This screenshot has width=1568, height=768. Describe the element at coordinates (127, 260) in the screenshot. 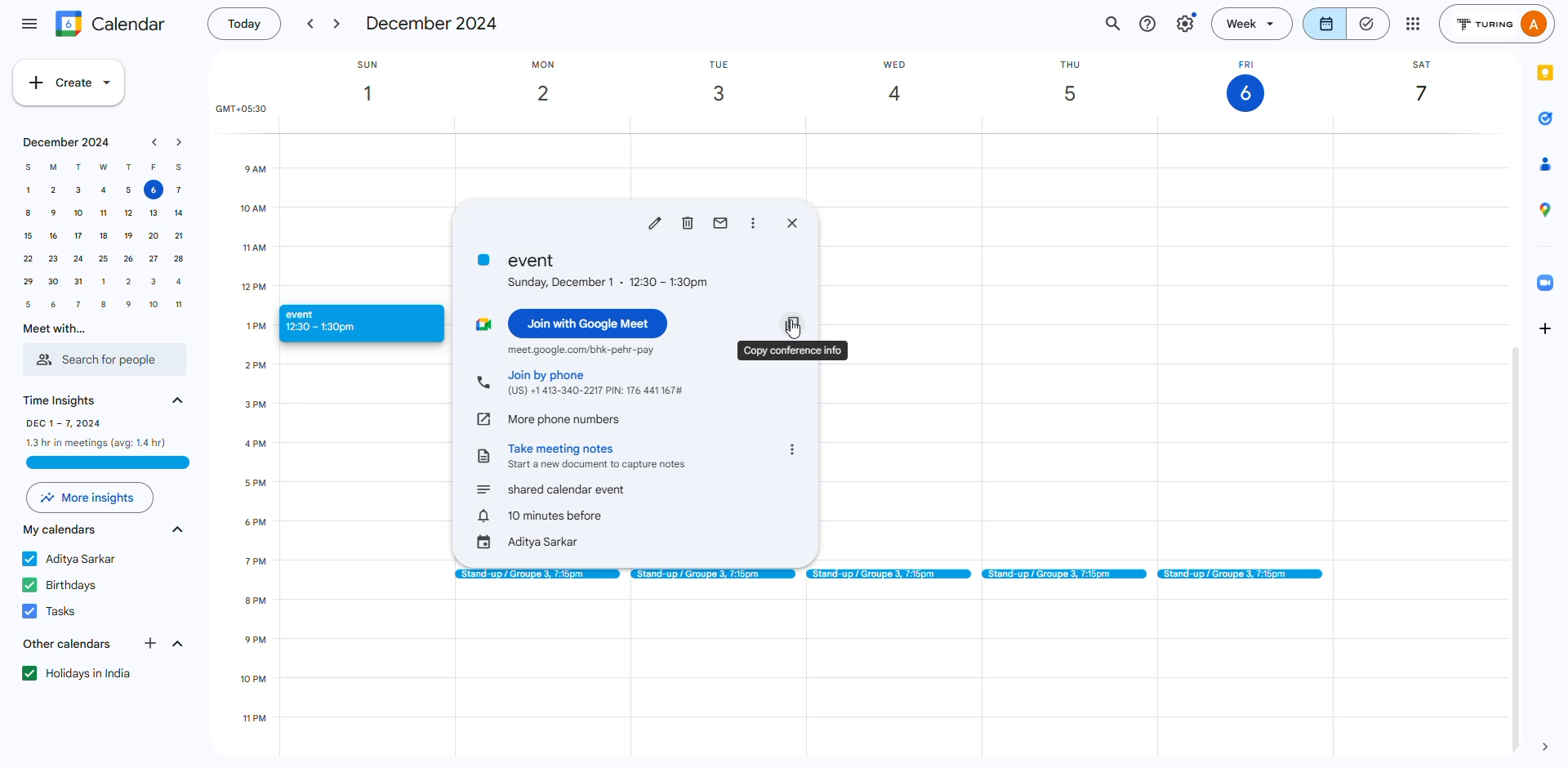

I see `26` at that location.